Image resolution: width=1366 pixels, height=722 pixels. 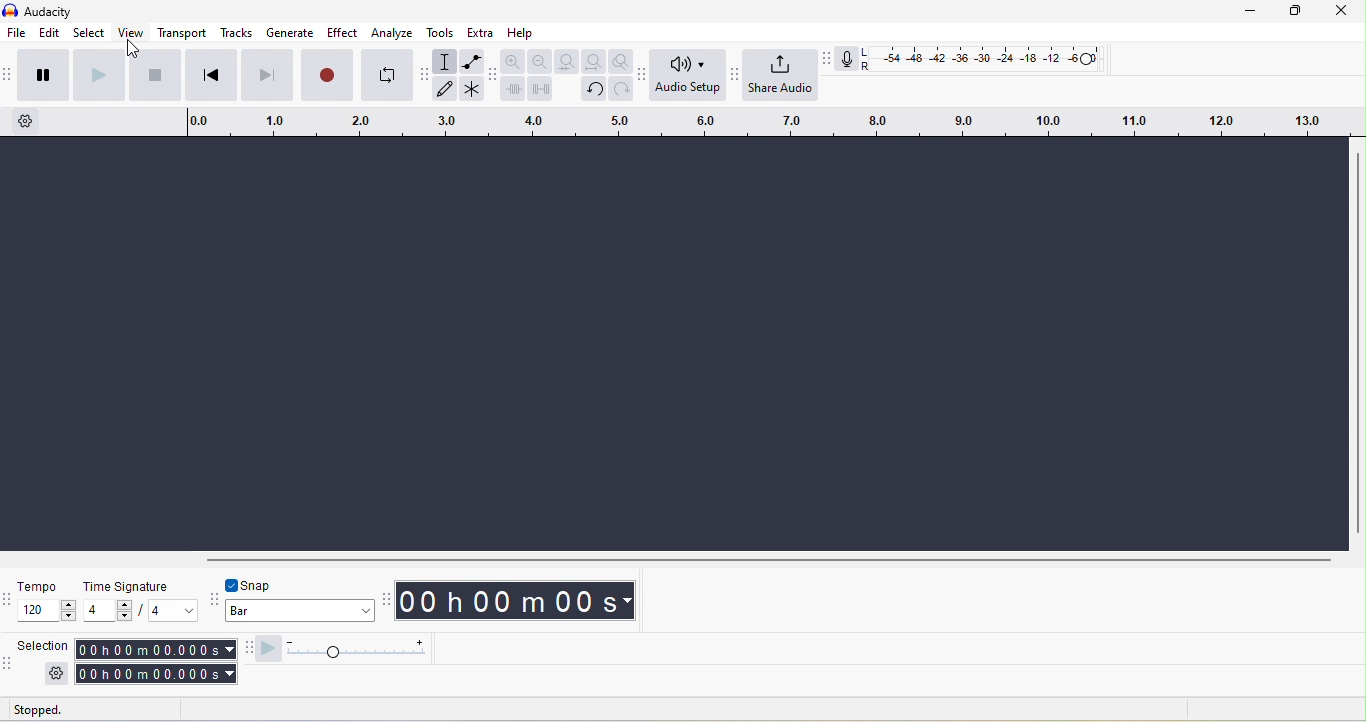 What do you see at coordinates (174, 610) in the screenshot?
I see `set time signature` at bounding box center [174, 610].